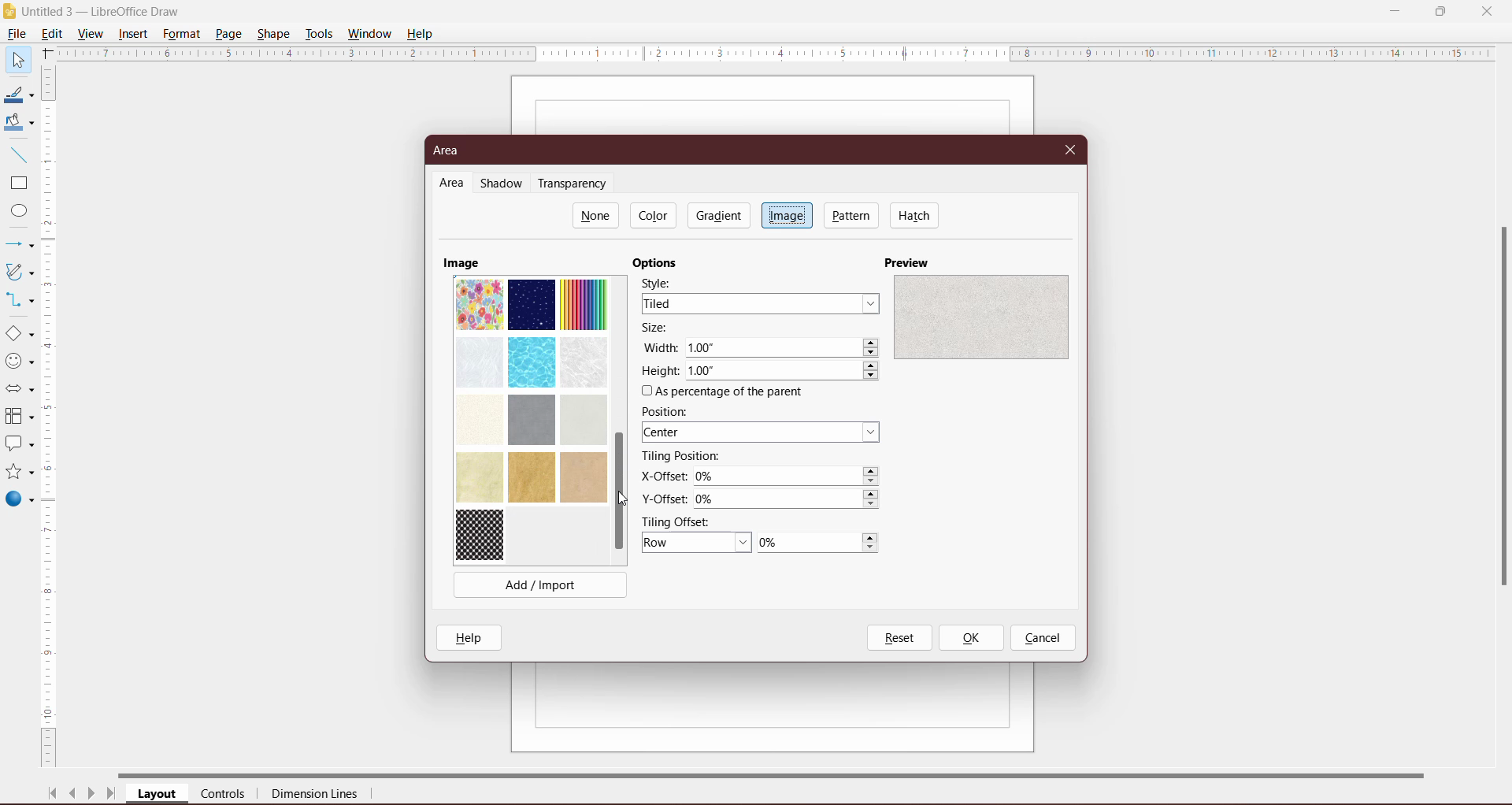 The width and height of the screenshot is (1512, 805). Describe the element at coordinates (596, 215) in the screenshot. I see `None` at that location.